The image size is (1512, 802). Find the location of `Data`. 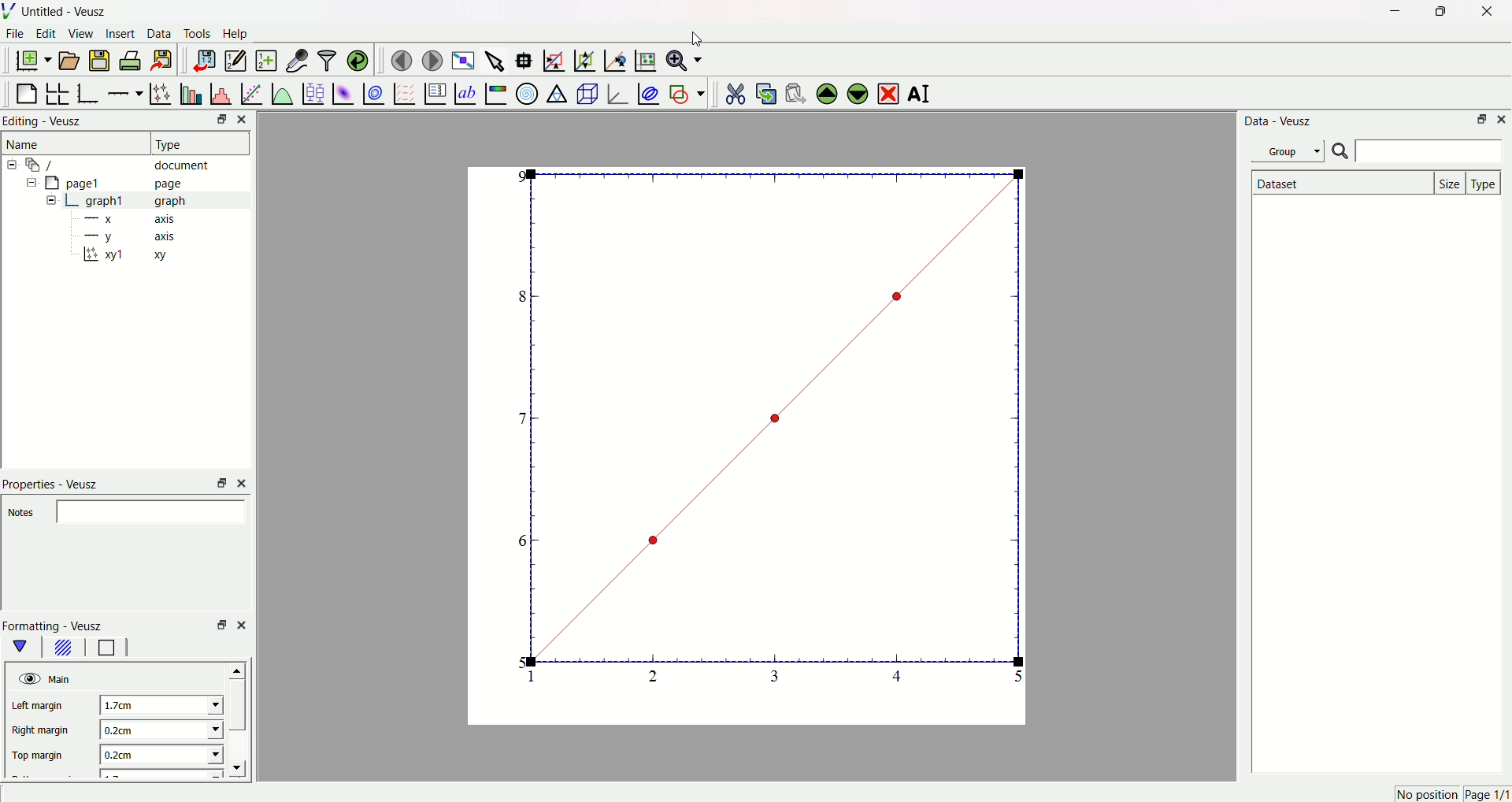

Data is located at coordinates (160, 35).